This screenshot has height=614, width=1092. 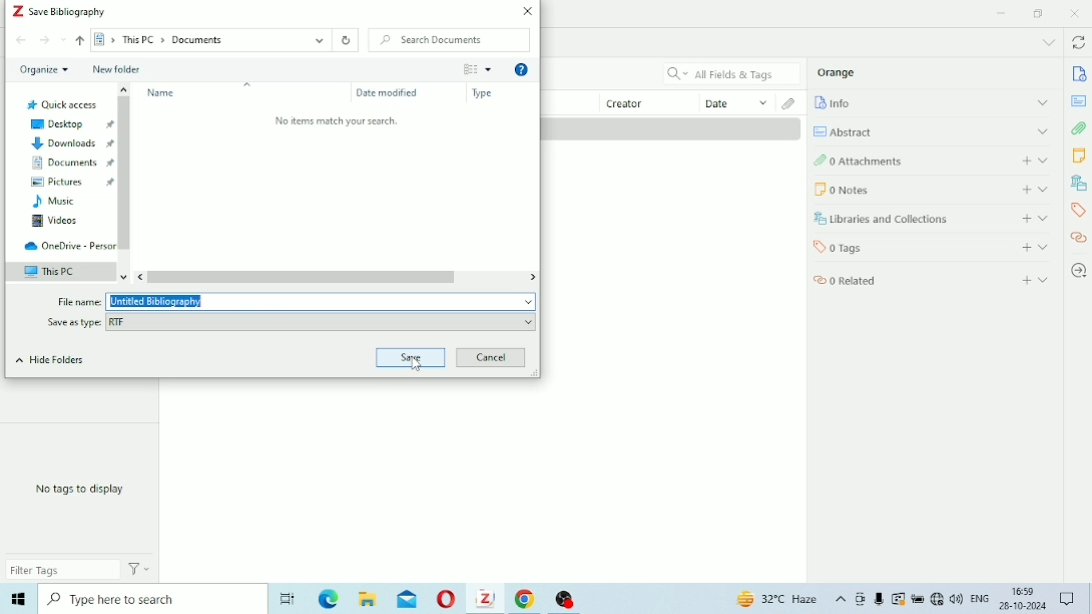 I want to click on Orange, so click(x=837, y=72).